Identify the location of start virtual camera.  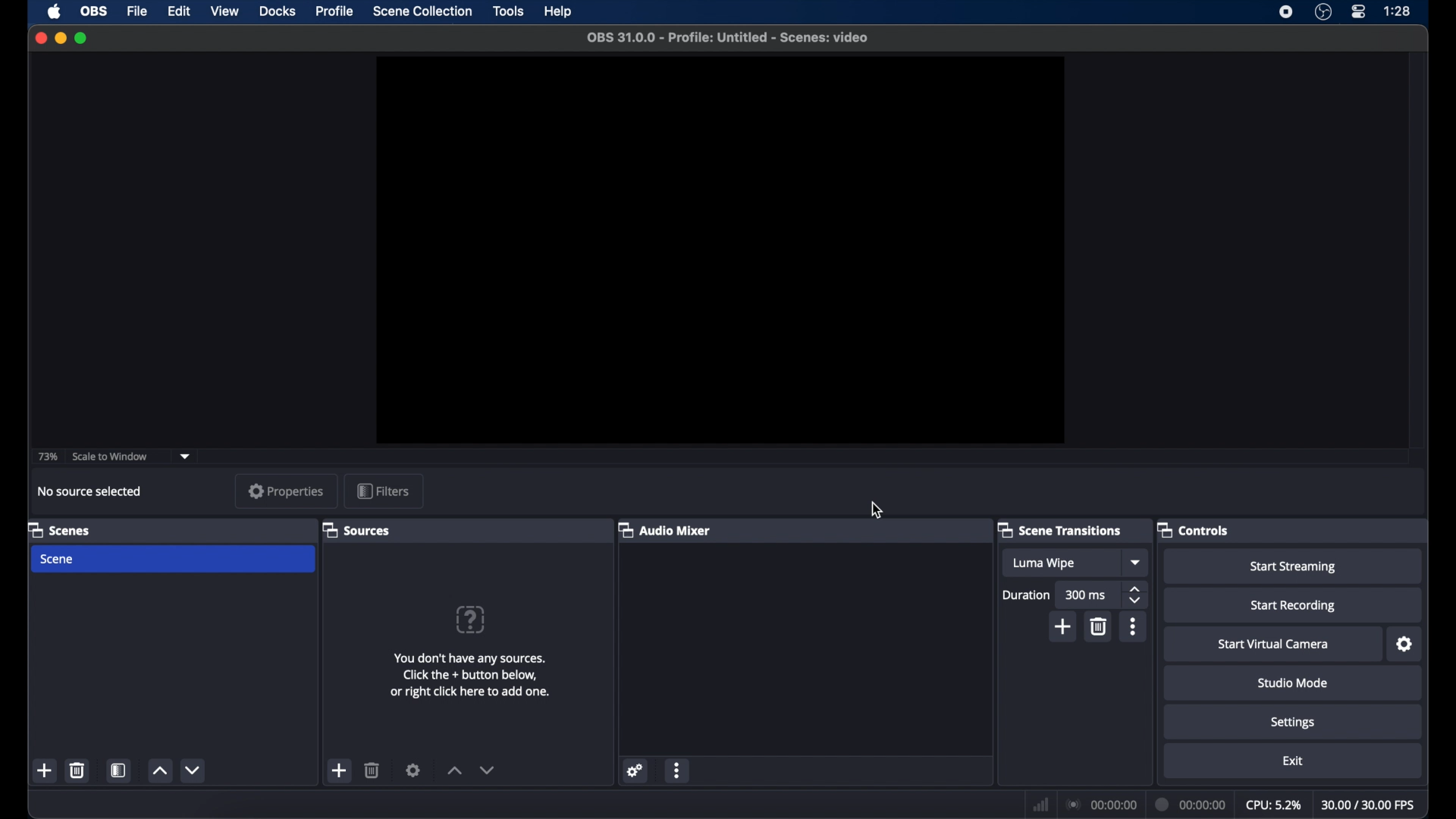
(1273, 645).